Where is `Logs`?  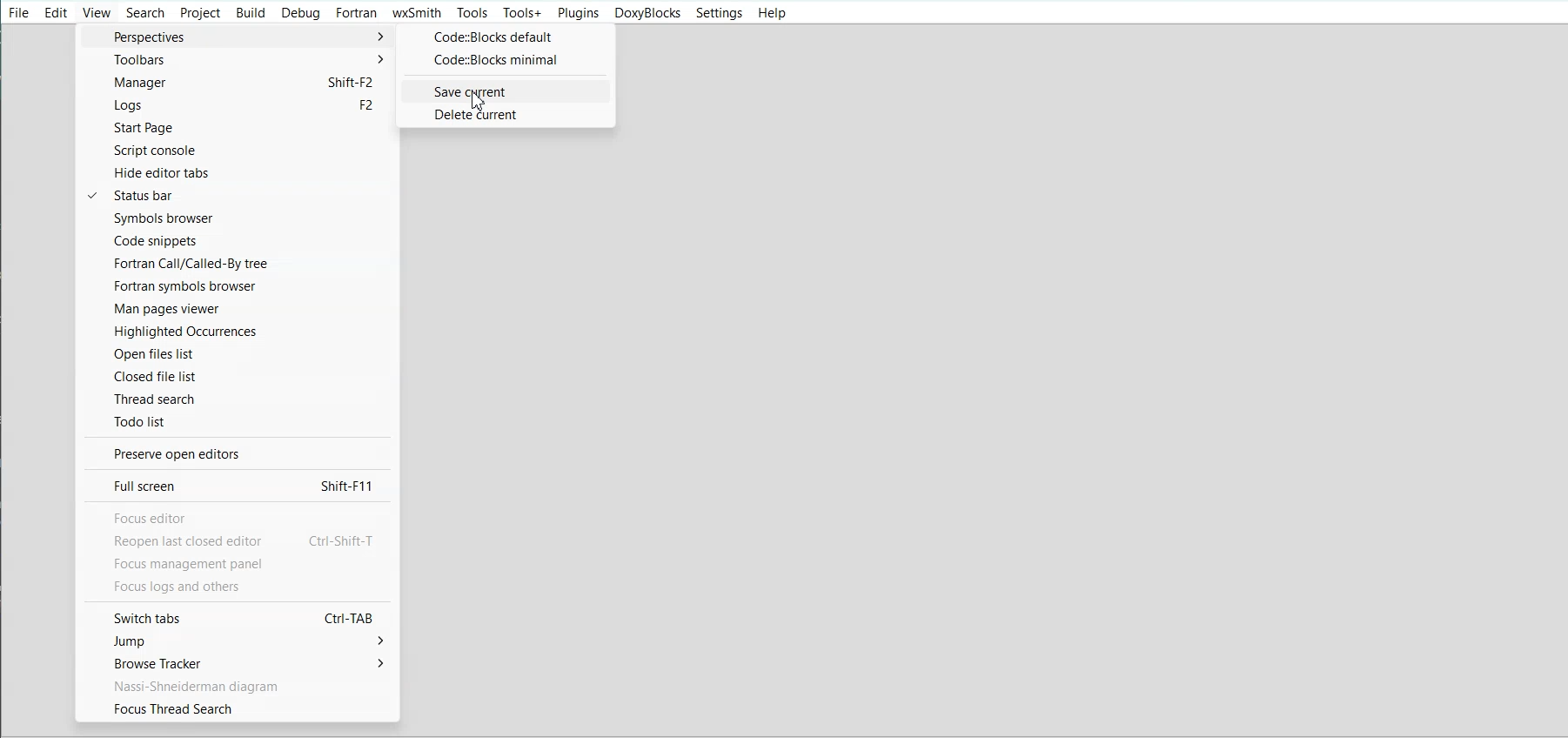
Logs is located at coordinates (238, 106).